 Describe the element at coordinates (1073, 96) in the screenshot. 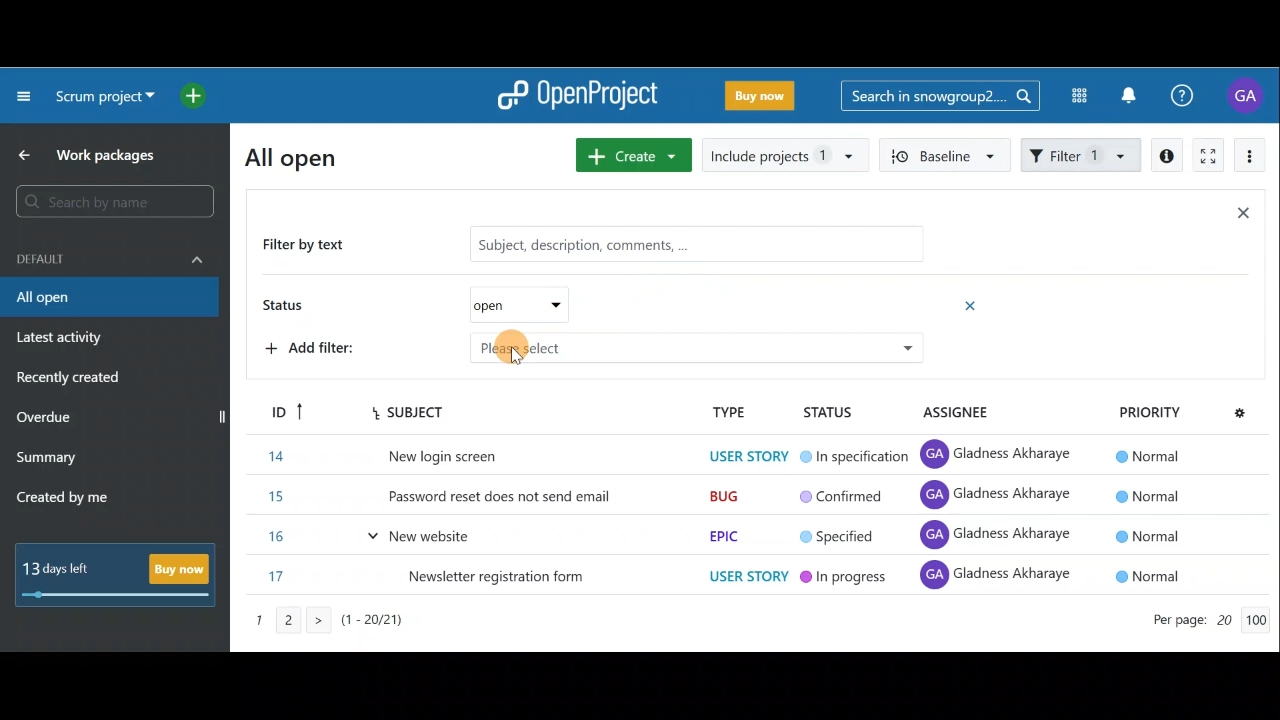

I see `Modules` at that location.